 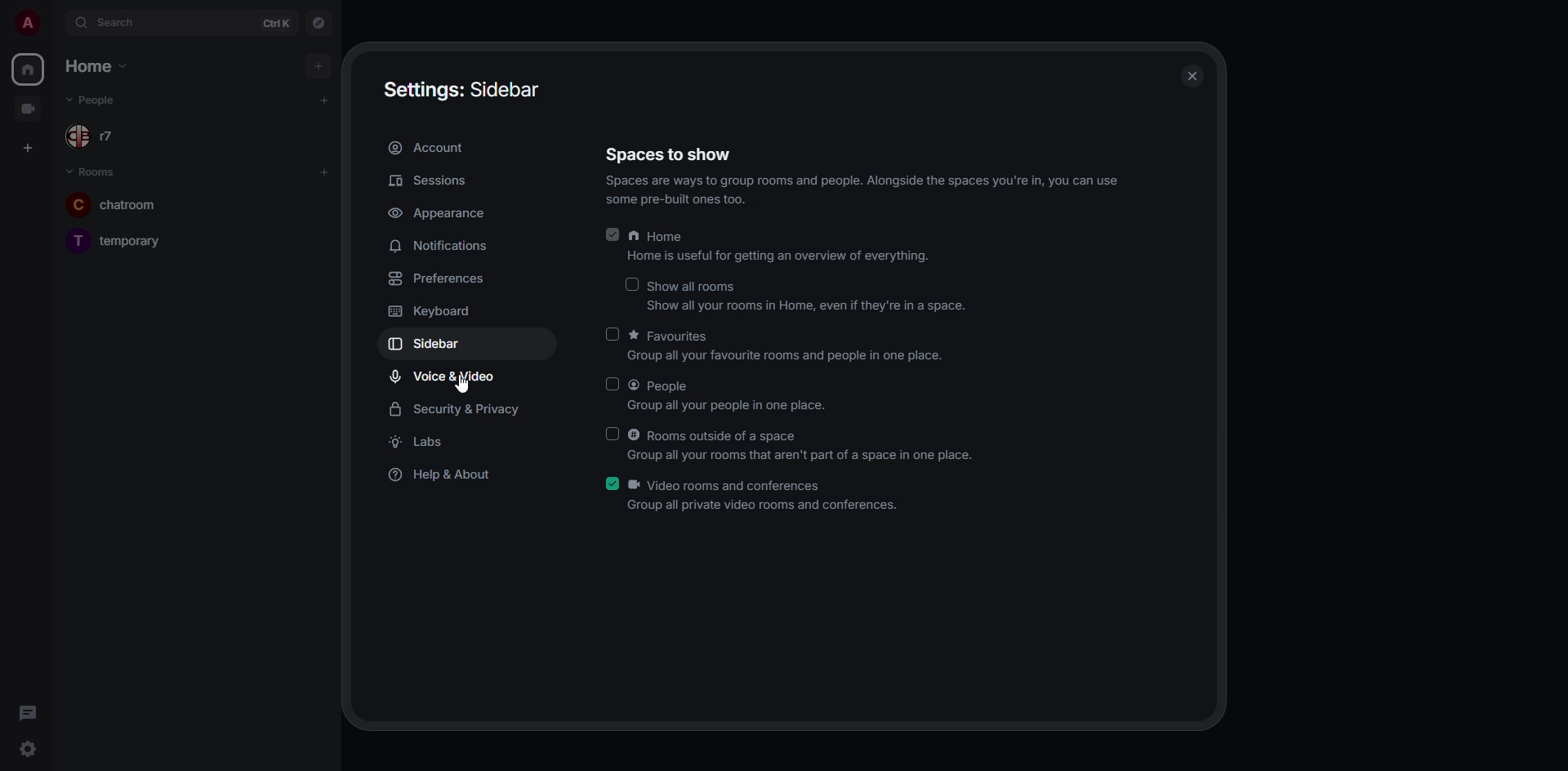 I want to click on home, so click(x=782, y=249).